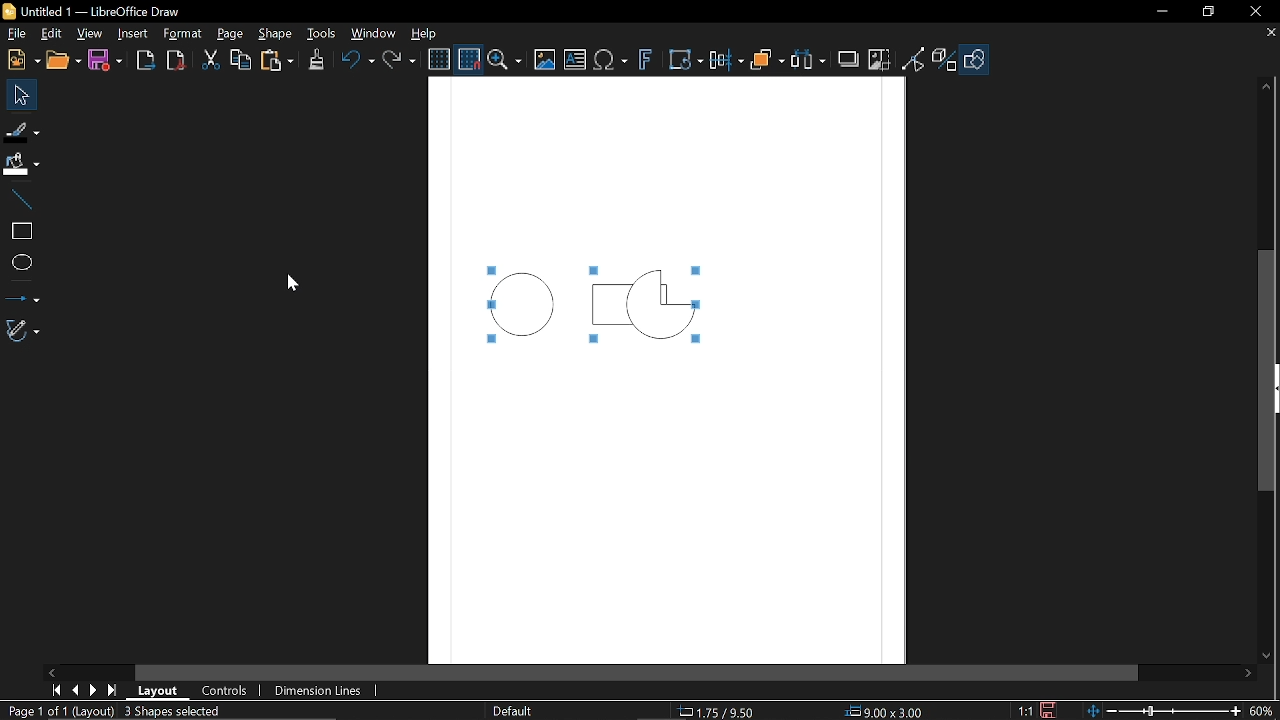 Image resolution: width=1280 pixels, height=720 pixels. What do you see at coordinates (51, 672) in the screenshot?
I see `Move left` at bounding box center [51, 672].